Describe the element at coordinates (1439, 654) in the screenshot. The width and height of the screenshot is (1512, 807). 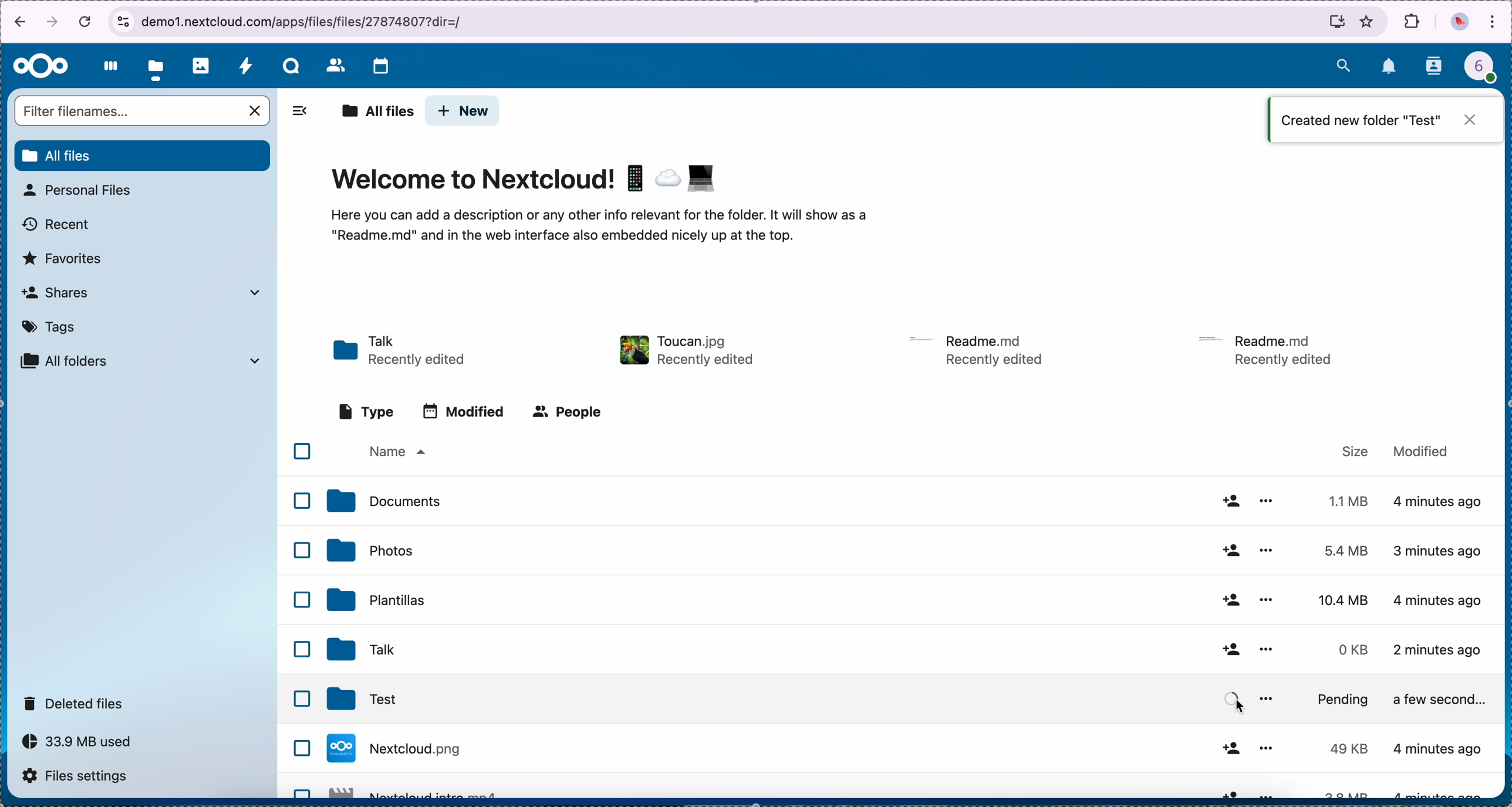
I see `4 minutes ago` at that location.